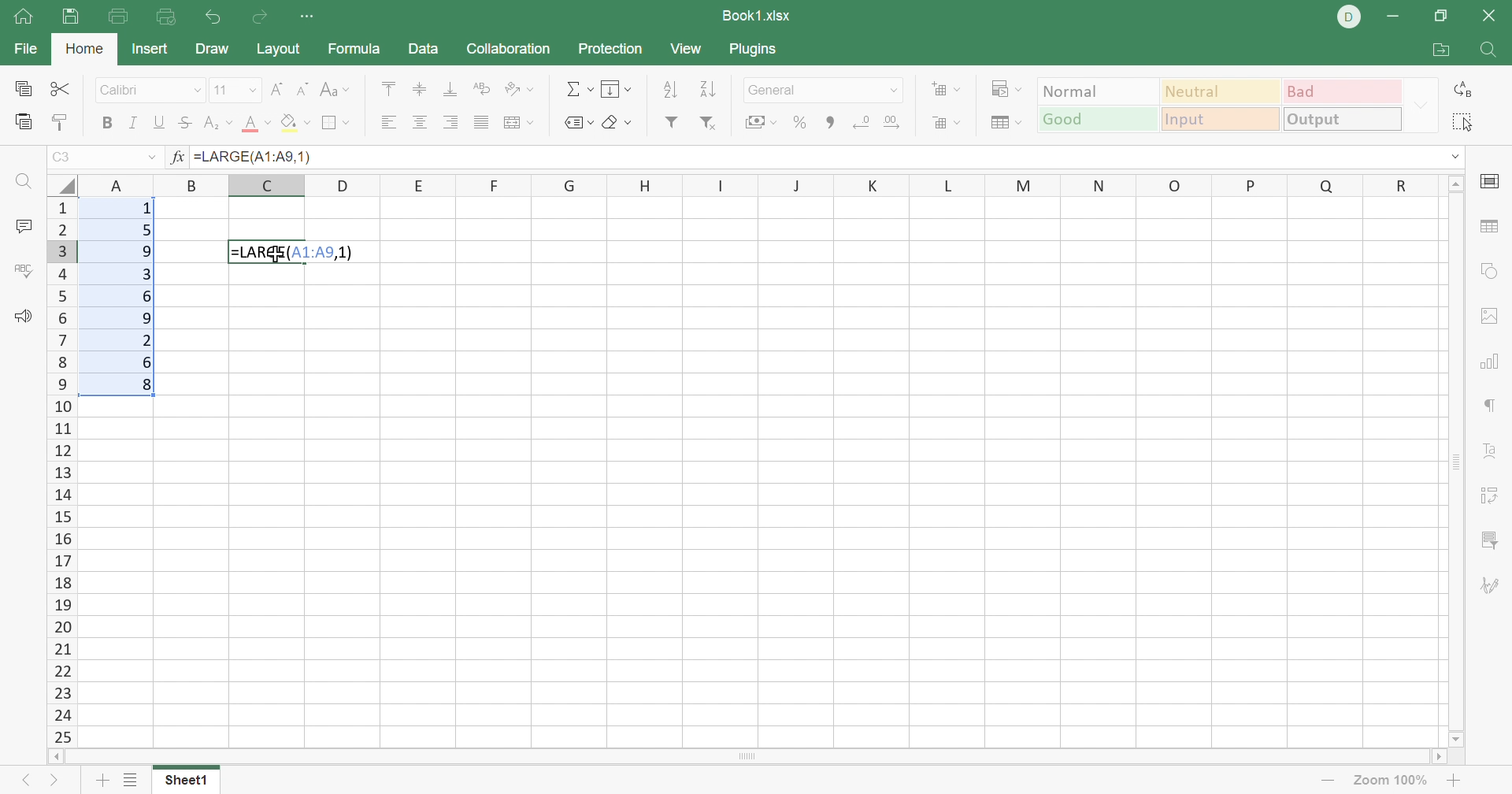 The height and width of the screenshot is (794, 1512). I want to click on shape settings, so click(1495, 273).